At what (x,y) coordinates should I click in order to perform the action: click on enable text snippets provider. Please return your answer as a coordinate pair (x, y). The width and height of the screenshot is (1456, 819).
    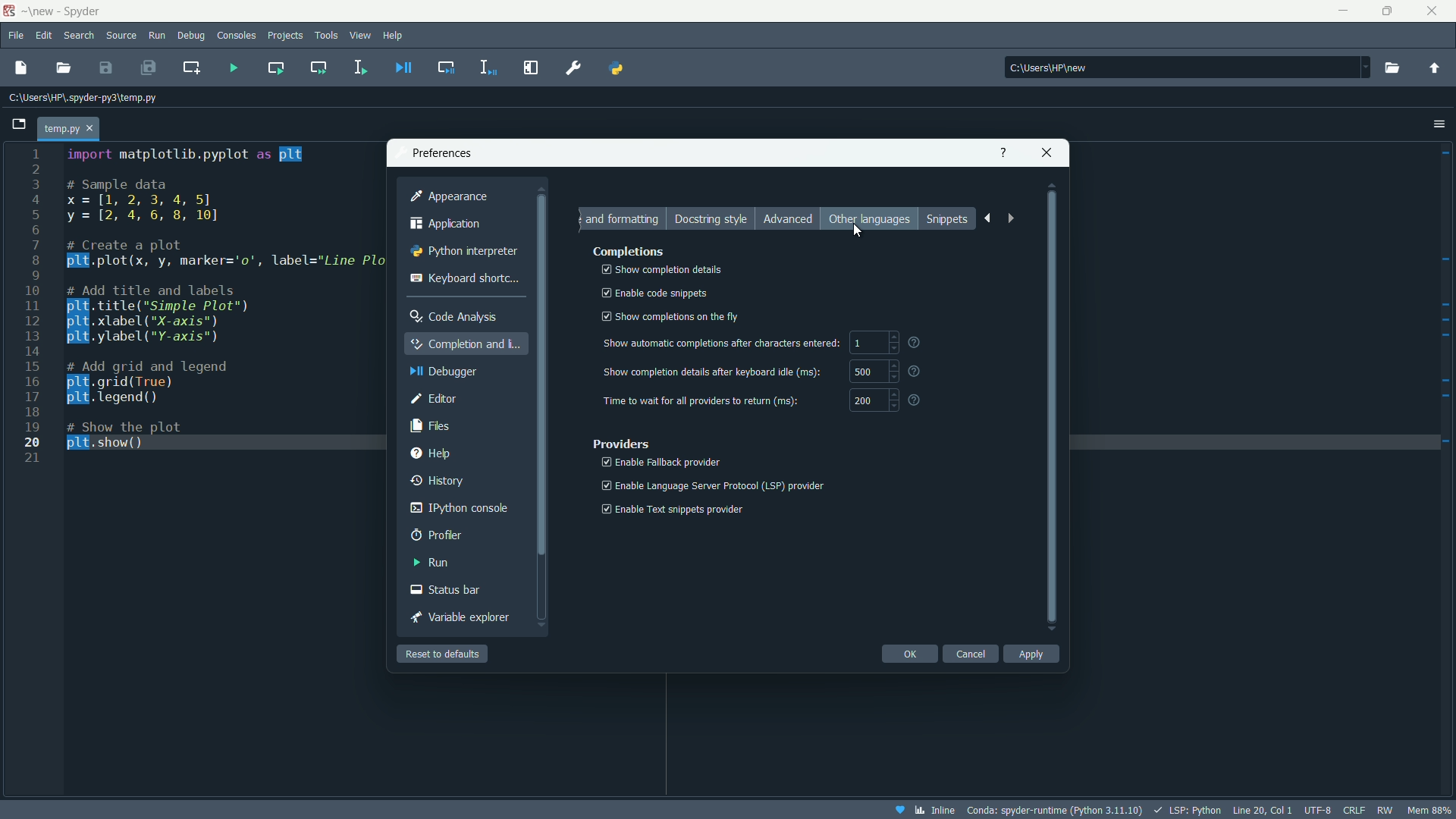
    Looking at the image, I should click on (671, 510).